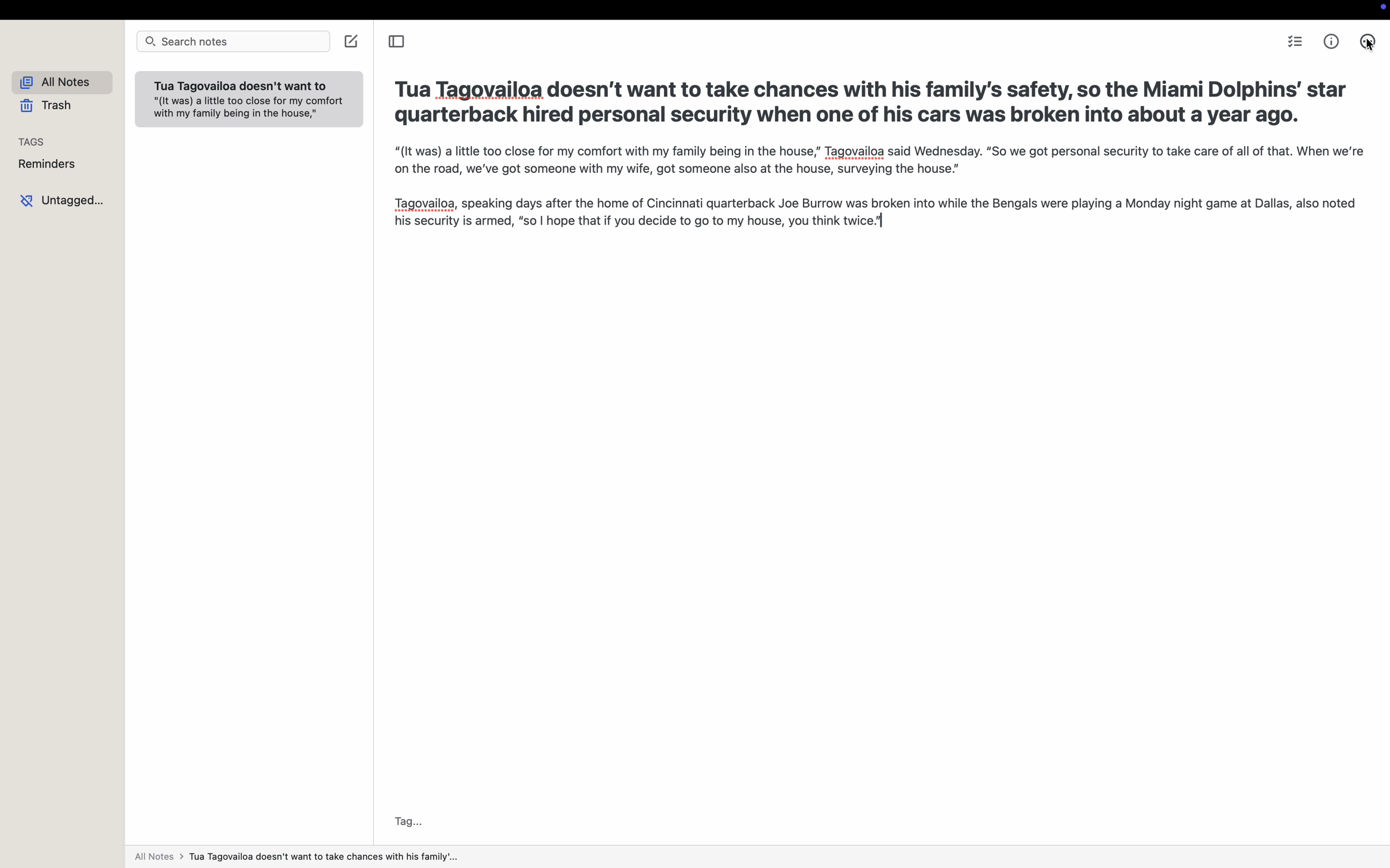  What do you see at coordinates (41, 106) in the screenshot?
I see `trash` at bounding box center [41, 106].